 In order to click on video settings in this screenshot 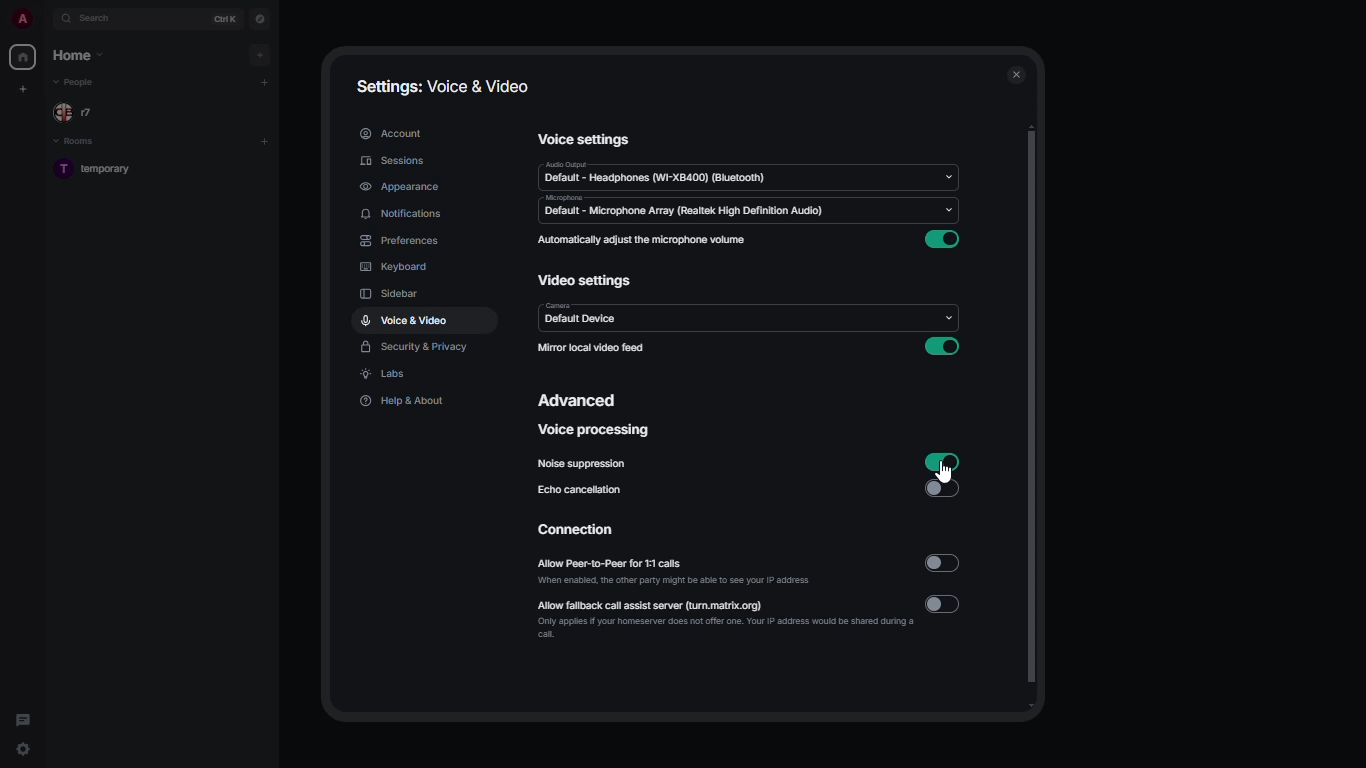, I will do `click(588, 284)`.